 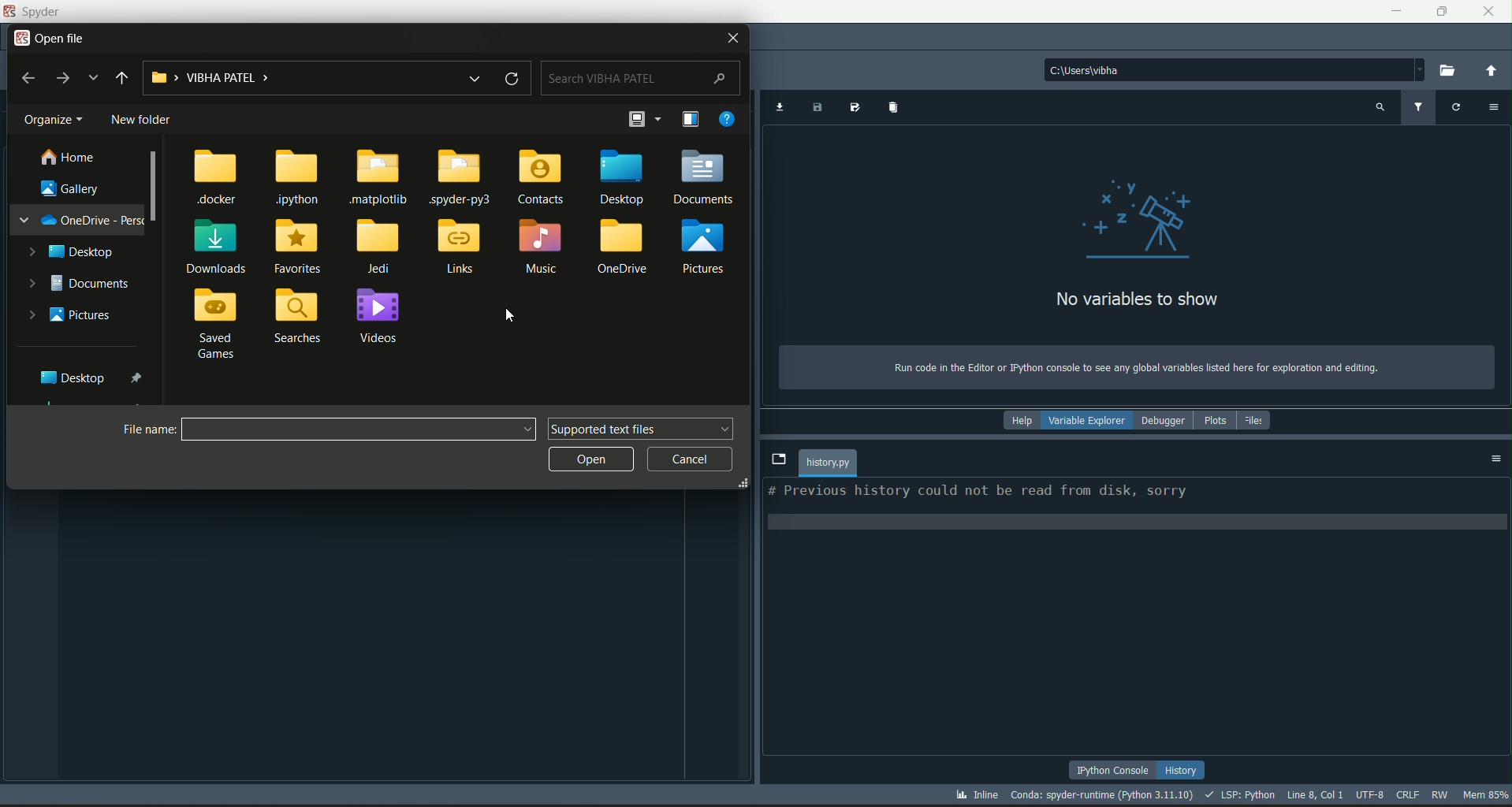 What do you see at coordinates (1138, 220) in the screenshot?
I see `graphics` at bounding box center [1138, 220].